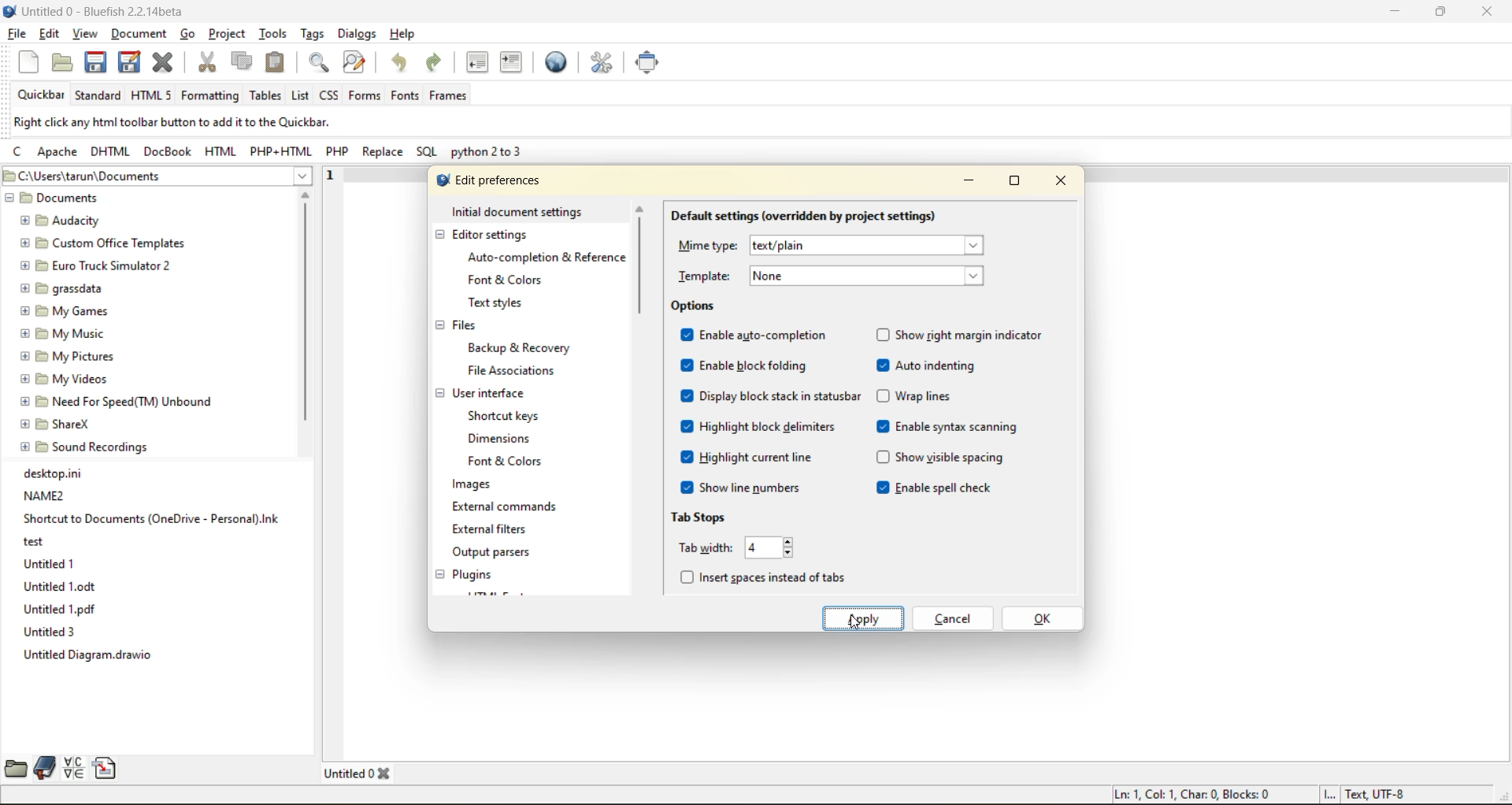 This screenshot has height=805, width=1512. I want to click on options, so click(693, 306).